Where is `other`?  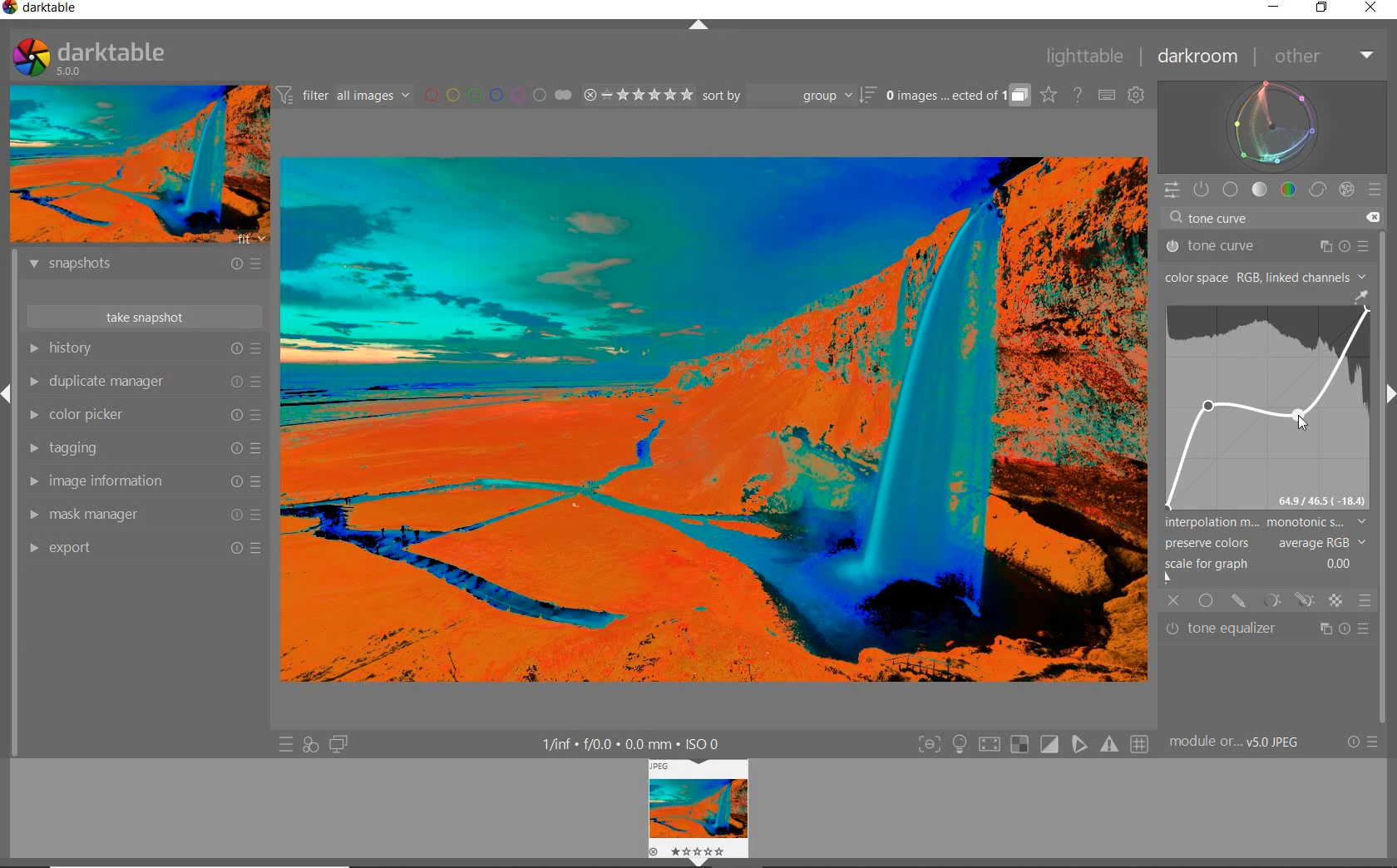 other is located at coordinates (1320, 56).